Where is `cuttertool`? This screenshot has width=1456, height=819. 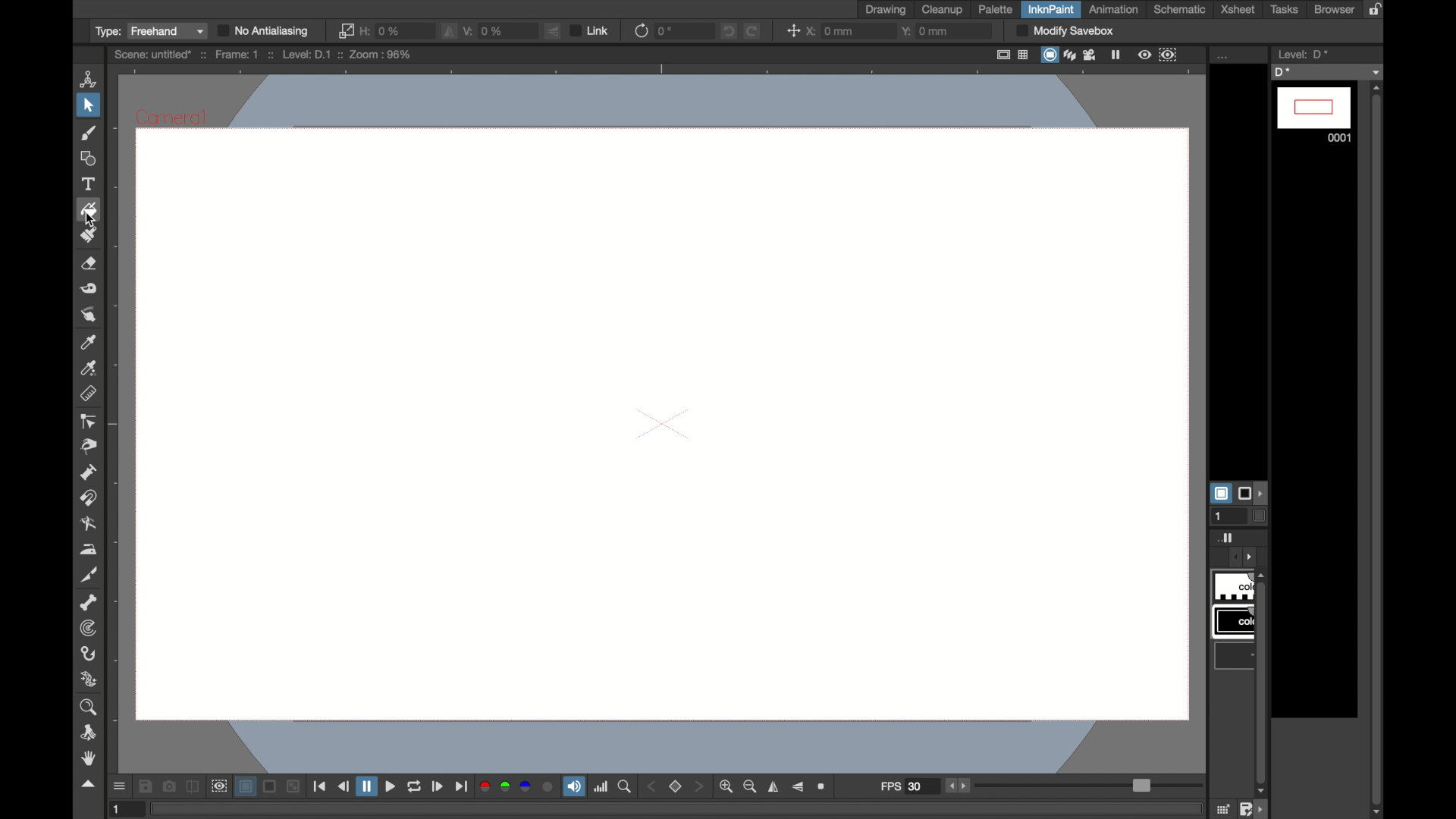
cuttertool is located at coordinates (90, 575).